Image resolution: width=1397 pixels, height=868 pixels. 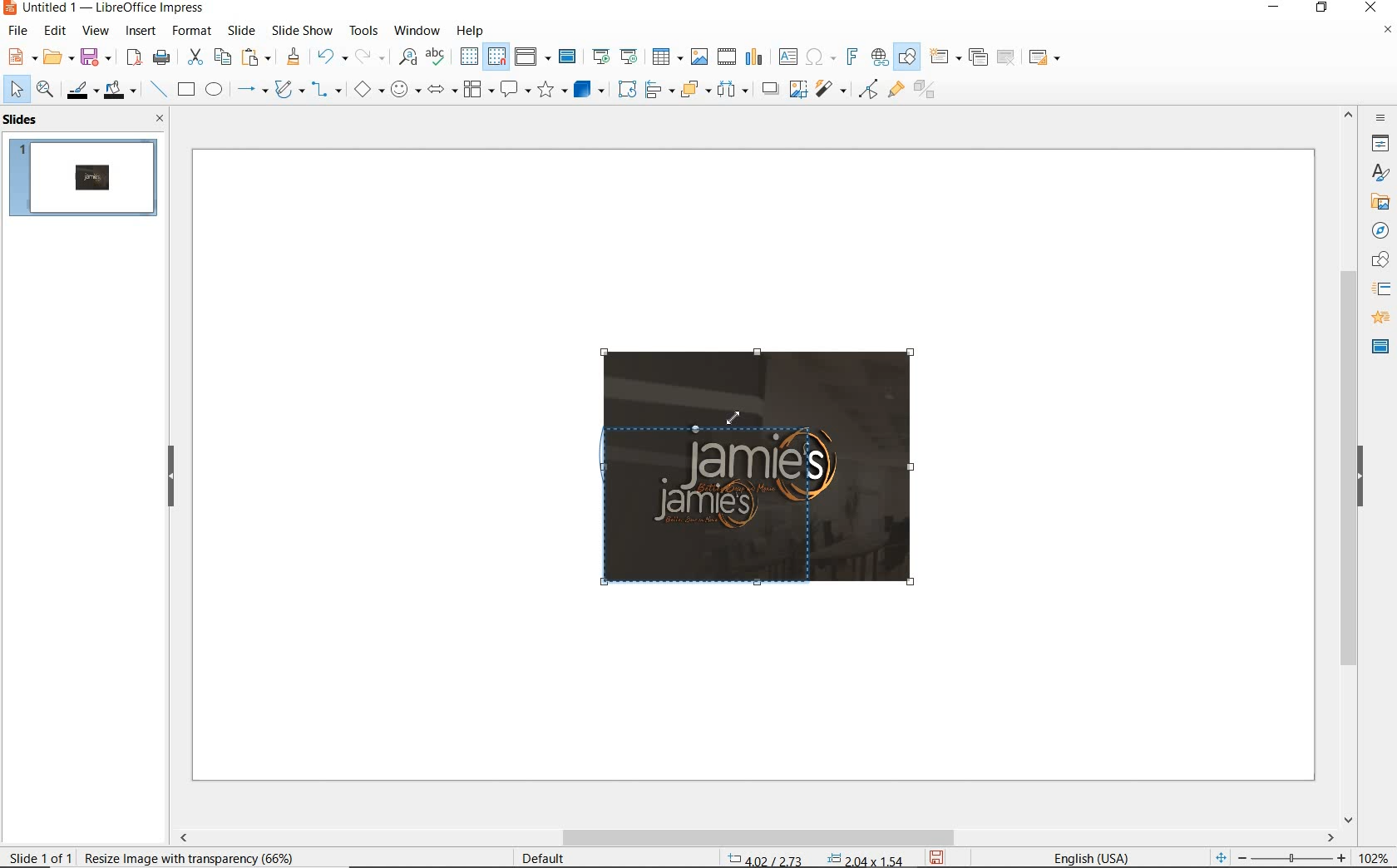 What do you see at coordinates (257, 57) in the screenshot?
I see `paste` at bounding box center [257, 57].